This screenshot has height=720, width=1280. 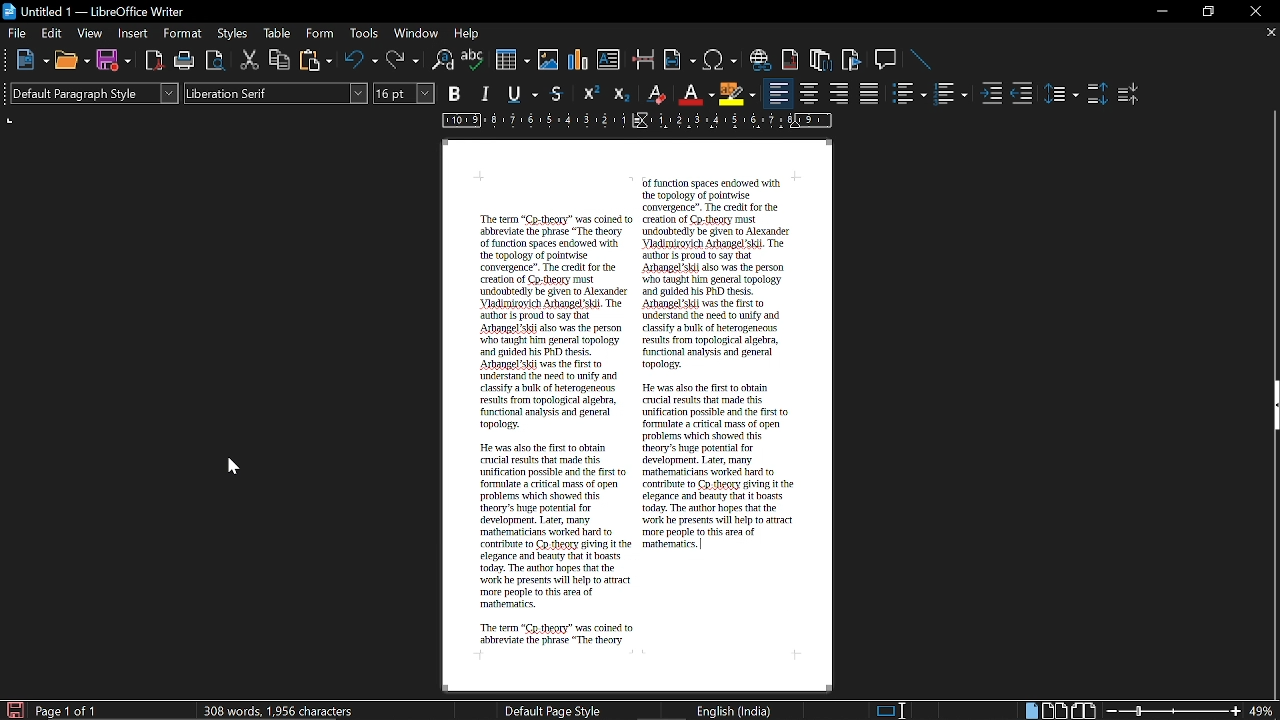 What do you see at coordinates (154, 62) in the screenshot?
I see `Import as pdf` at bounding box center [154, 62].